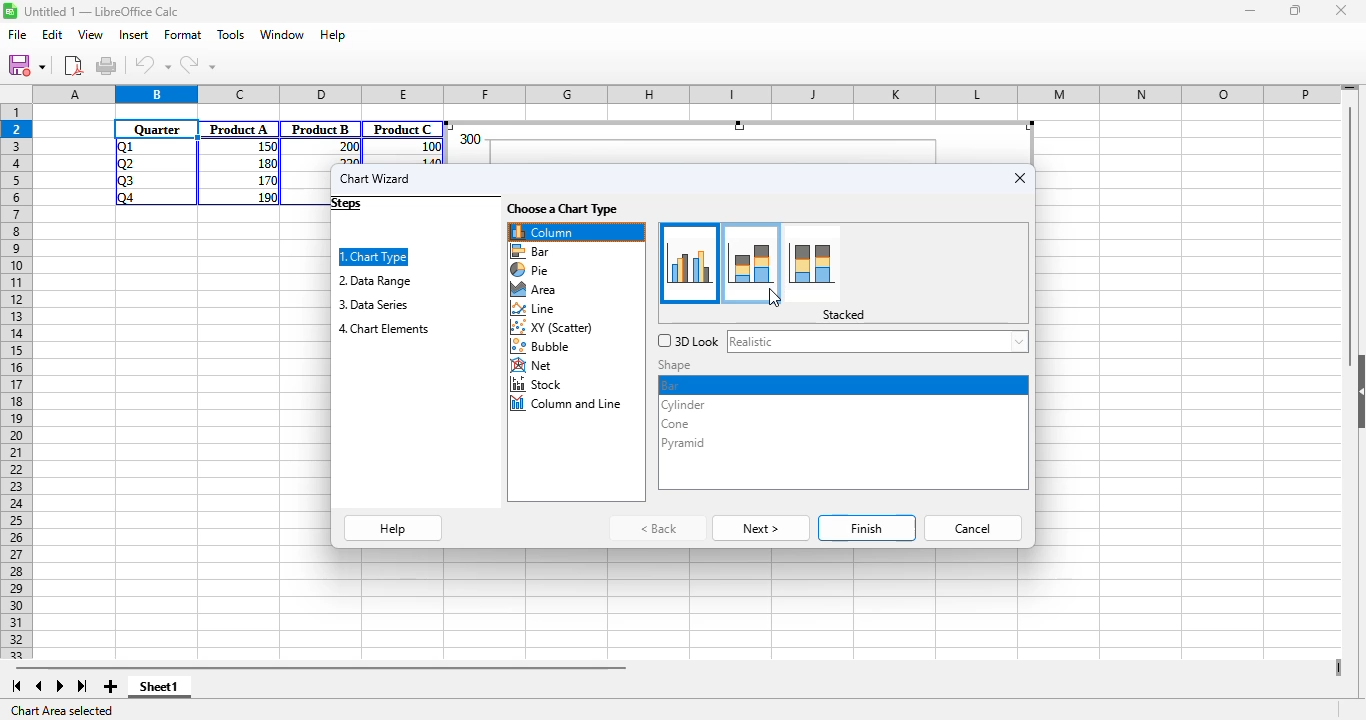 Image resolution: width=1366 pixels, height=720 pixels. Describe the element at coordinates (844, 315) in the screenshot. I see `stacked` at that location.